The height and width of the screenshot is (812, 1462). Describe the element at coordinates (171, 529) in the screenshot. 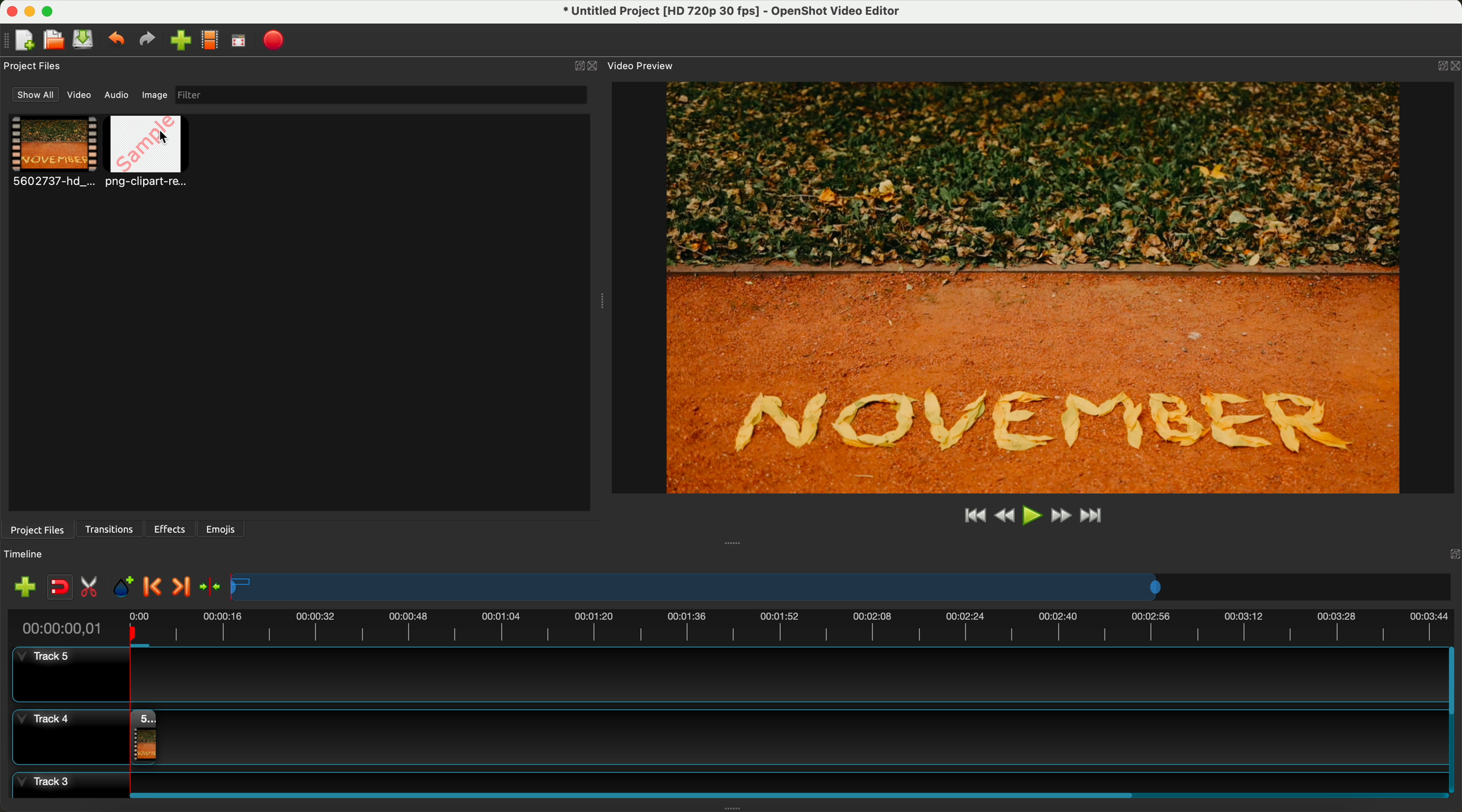

I see `effects` at that location.